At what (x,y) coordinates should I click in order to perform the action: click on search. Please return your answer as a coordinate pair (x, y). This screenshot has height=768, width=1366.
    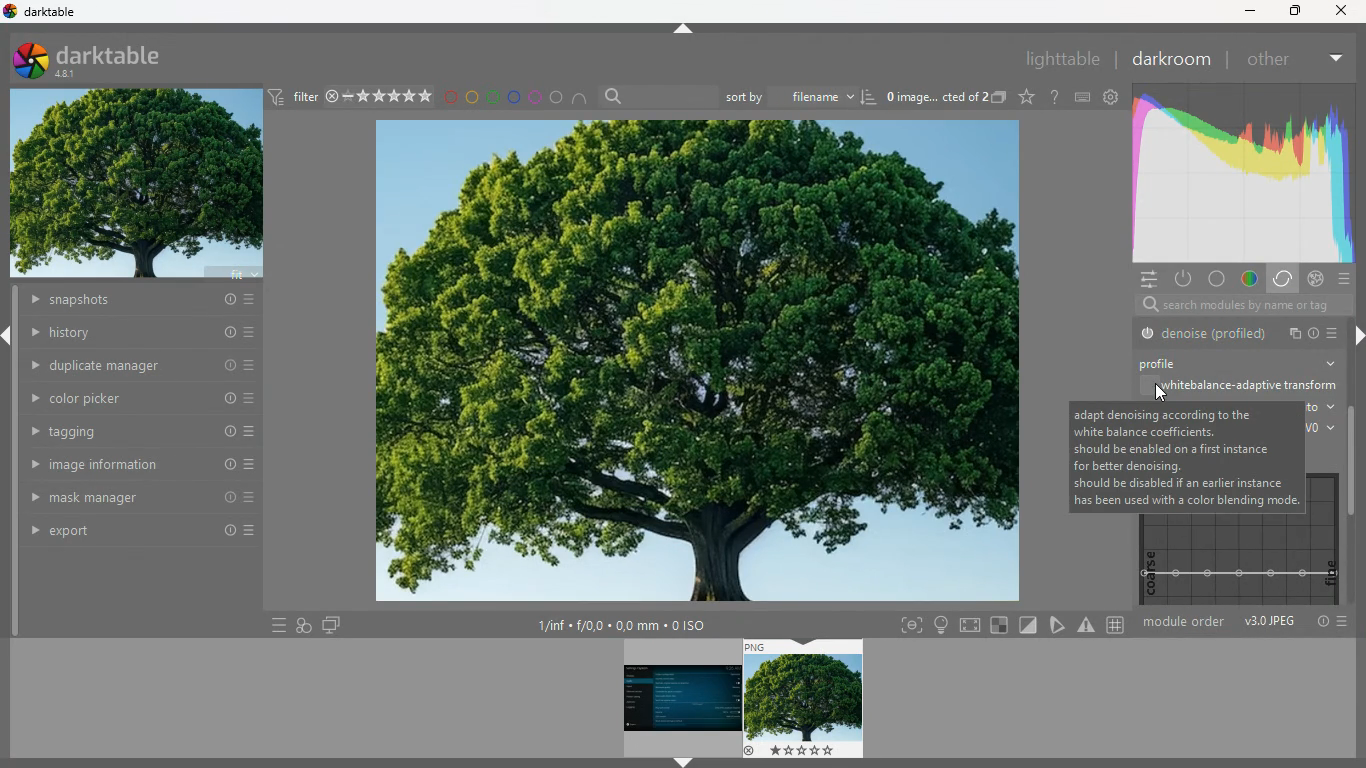
    Looking at the image, I should click on (615, 96).